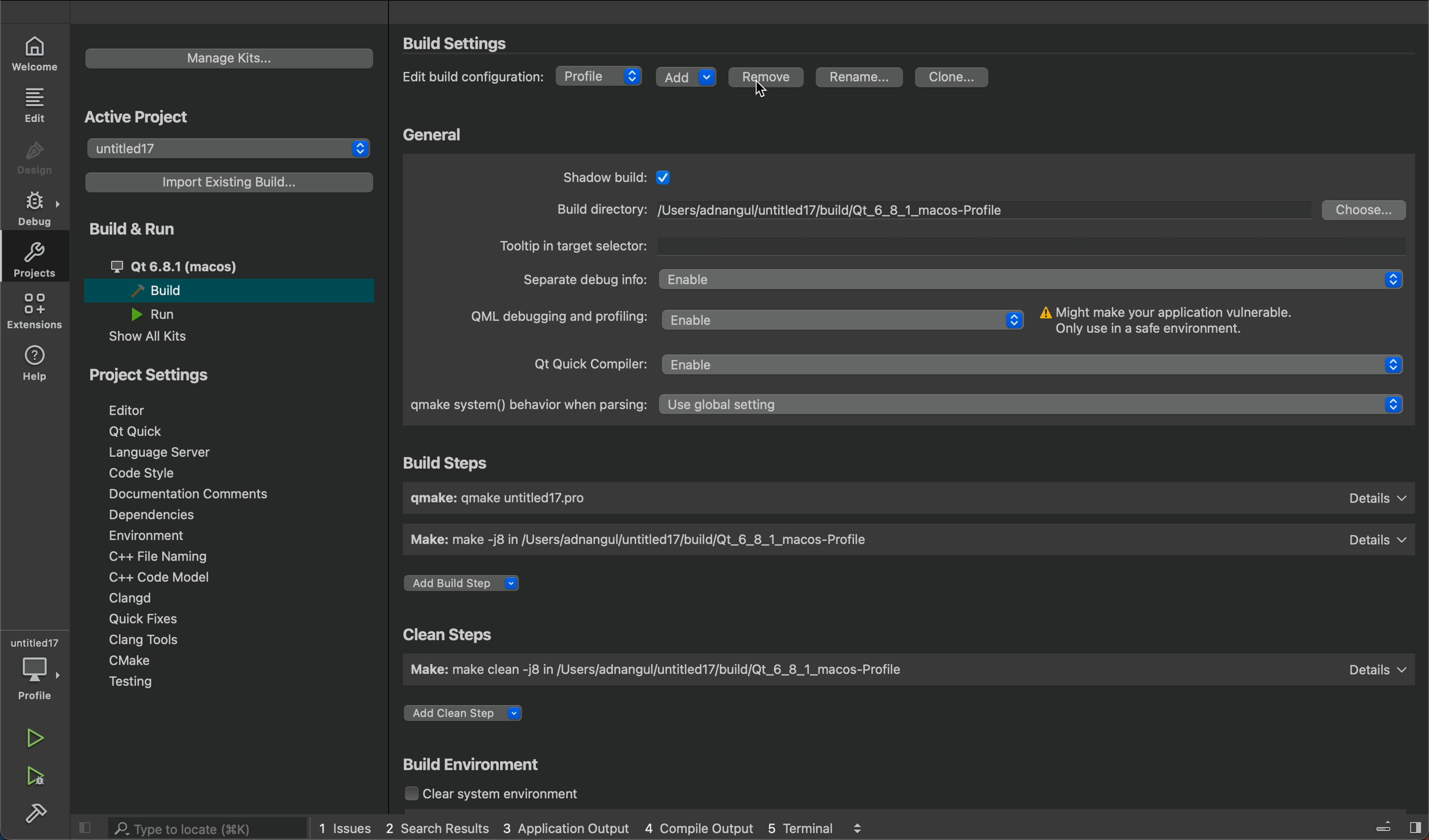  Describe the element at coordinates (151, 617) in the screenshot. I see `quick fixes` at that location.